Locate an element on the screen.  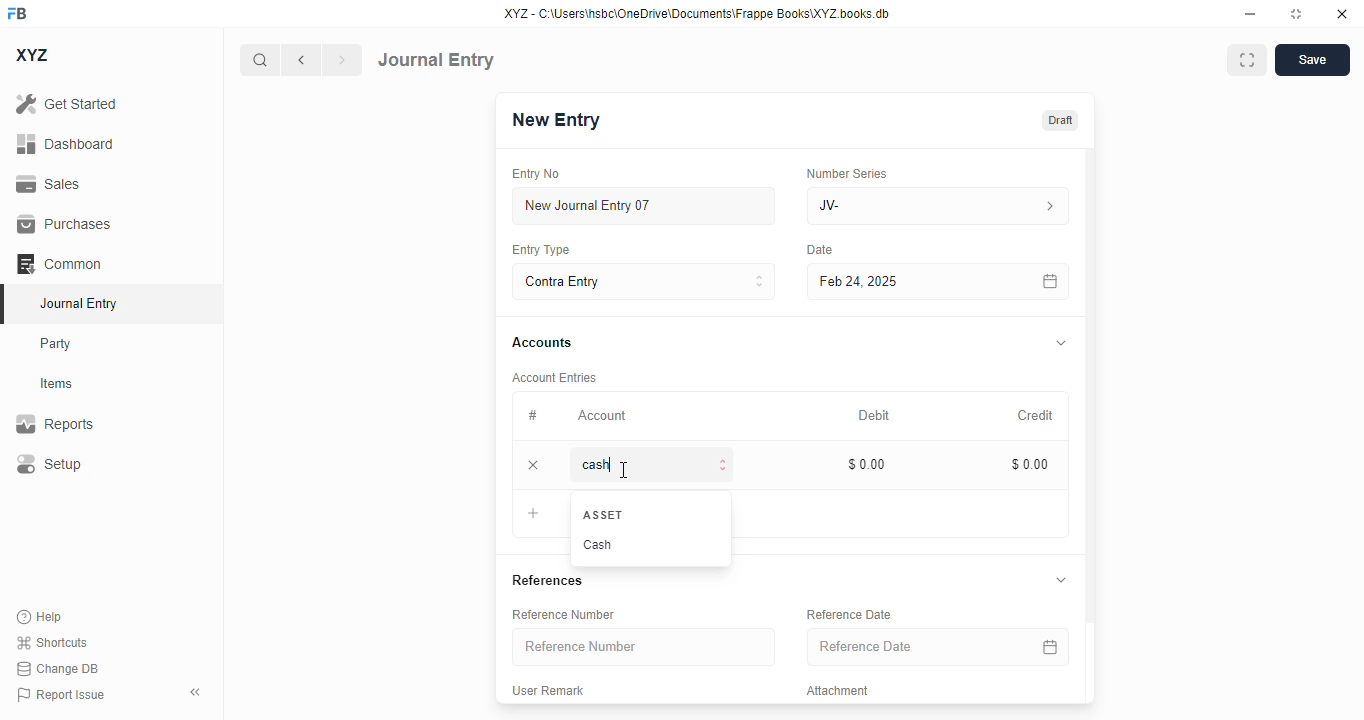
toggle expand/collapse is located at coordinates (1062, 342).